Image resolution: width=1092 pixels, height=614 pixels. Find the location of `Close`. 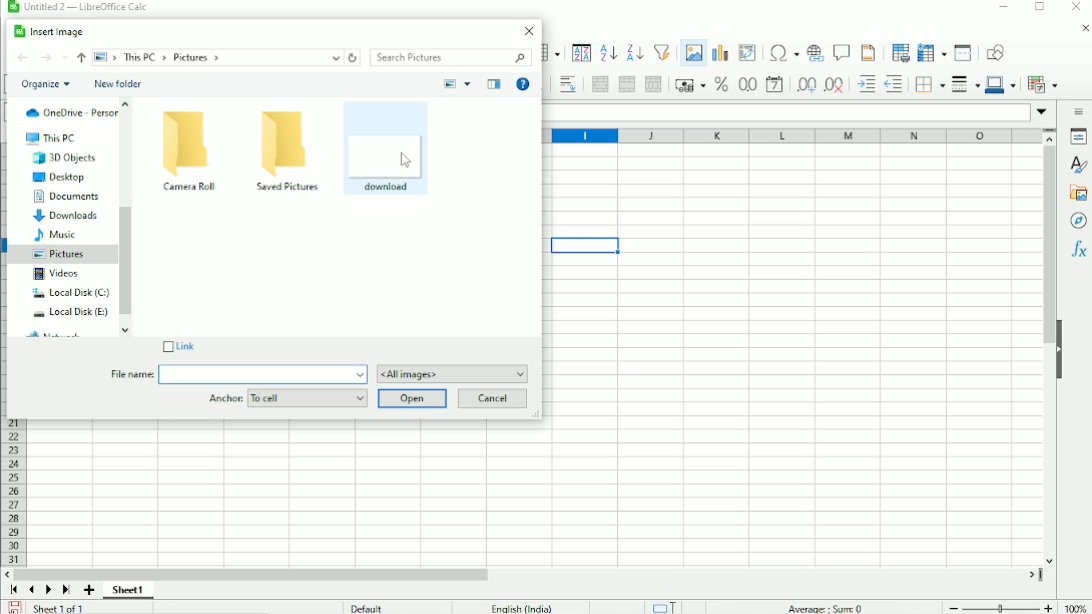

Close is located at coordinates (530, 31).